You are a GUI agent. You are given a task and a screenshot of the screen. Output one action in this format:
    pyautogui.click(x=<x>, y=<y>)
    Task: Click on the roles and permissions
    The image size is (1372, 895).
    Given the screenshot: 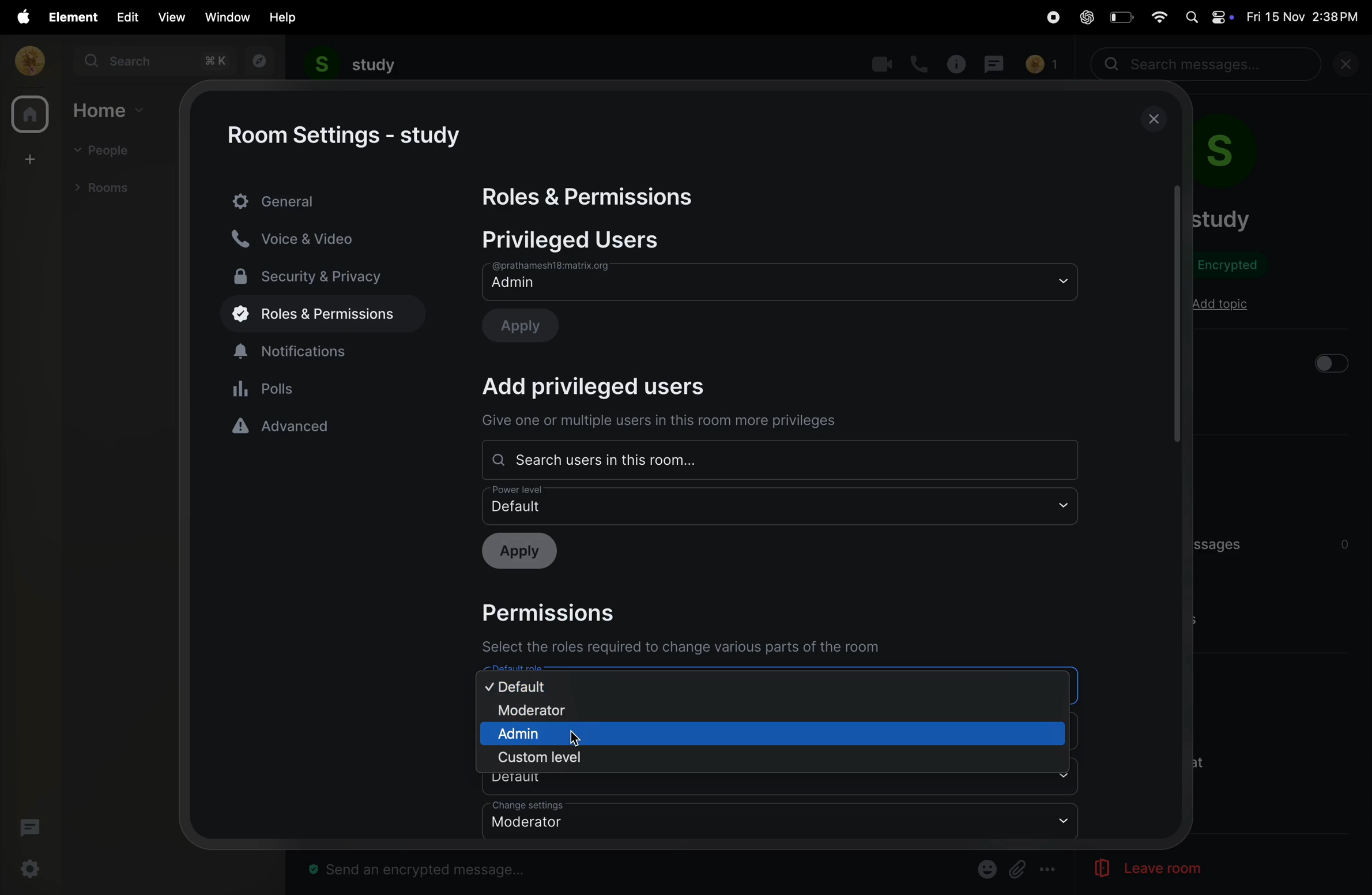 What is the action you would take?
    pyautogui.click(x=315, y=315)
    